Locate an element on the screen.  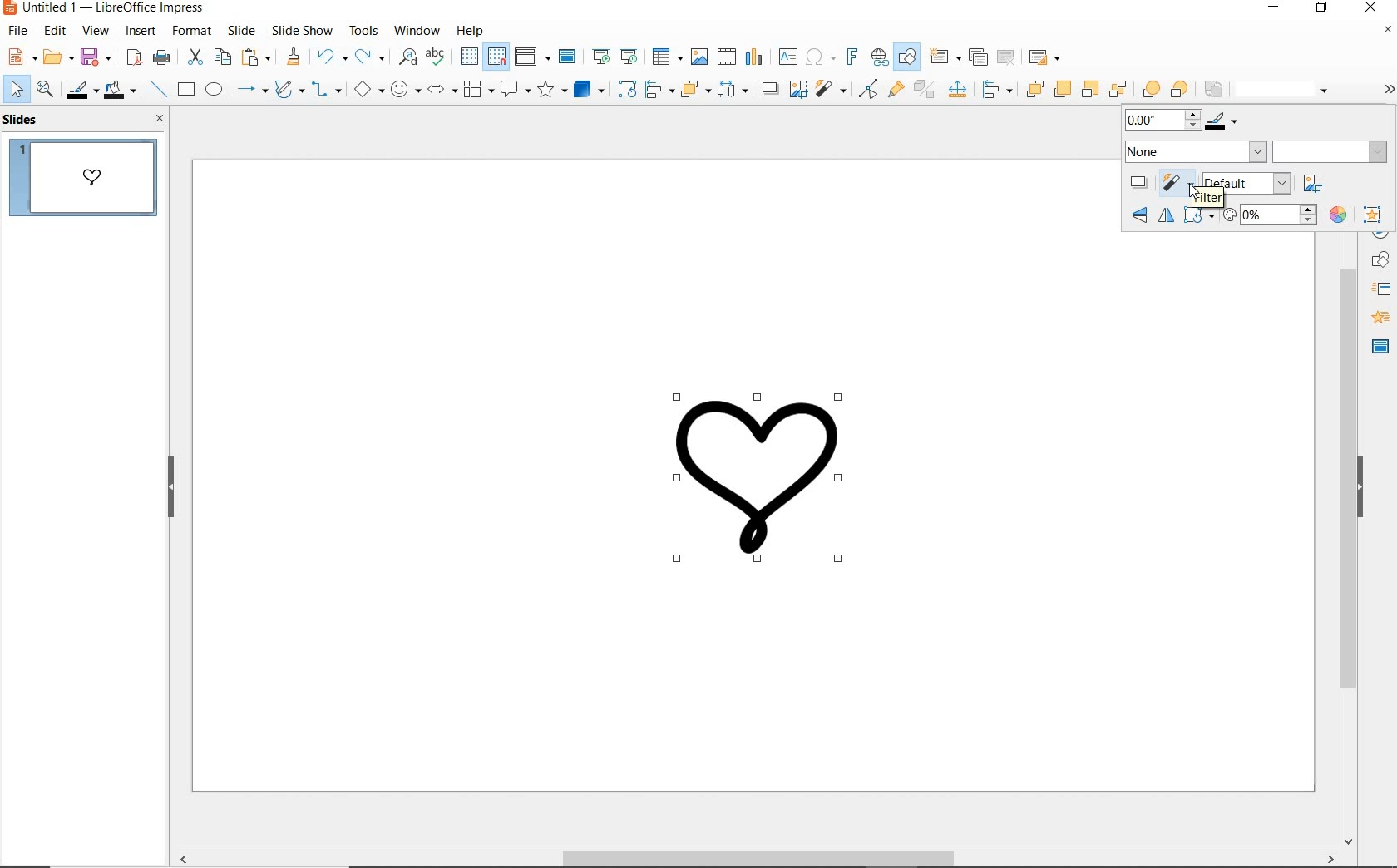
ellipse is located at coordinates (215, 90).